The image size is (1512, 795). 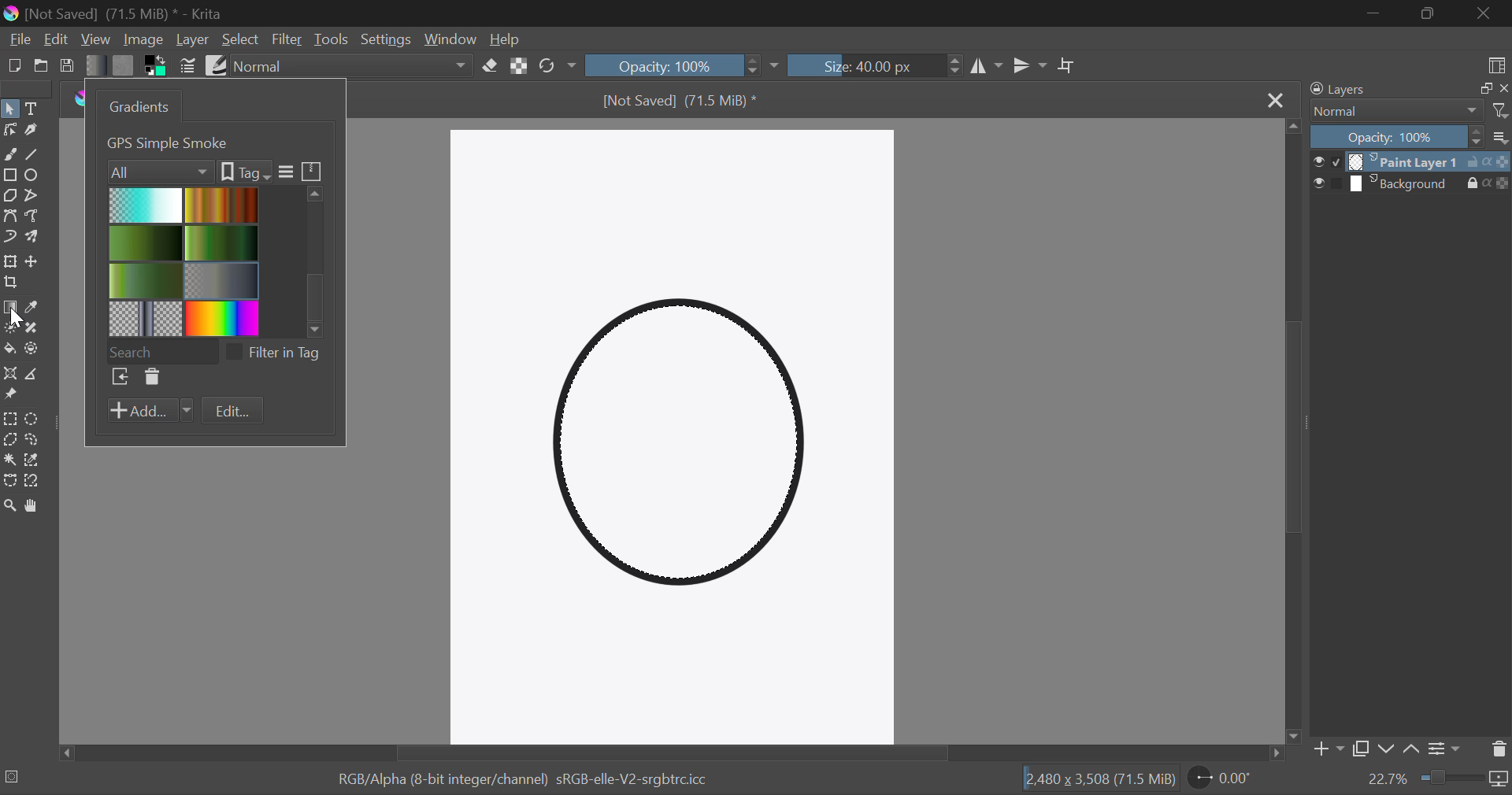 What do you see at coordinates (95, 40) in the screenshot?
I see `View` at bounding box center [95, 40].